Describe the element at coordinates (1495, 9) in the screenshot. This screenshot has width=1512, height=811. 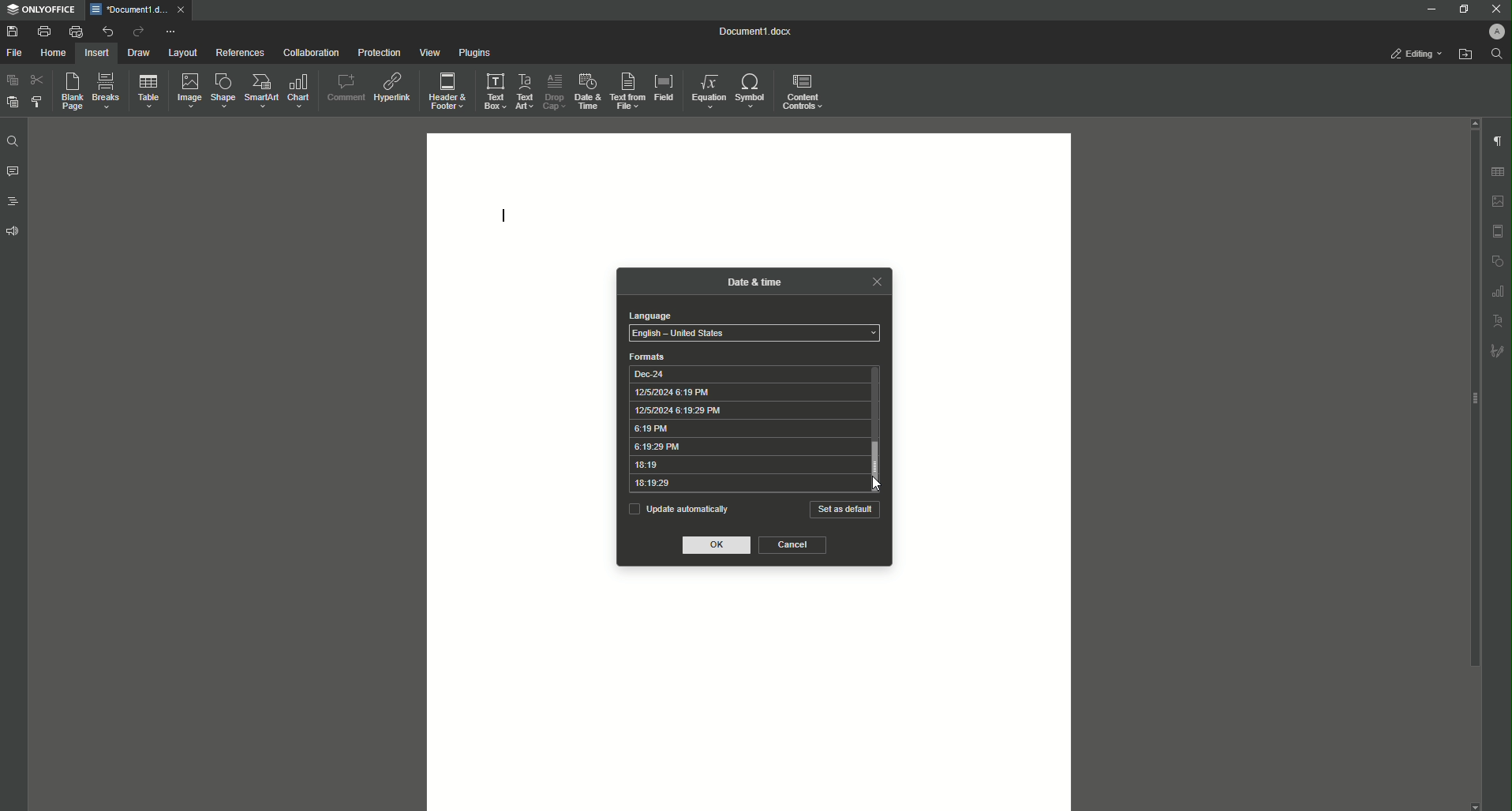
I see `Close` at that location.